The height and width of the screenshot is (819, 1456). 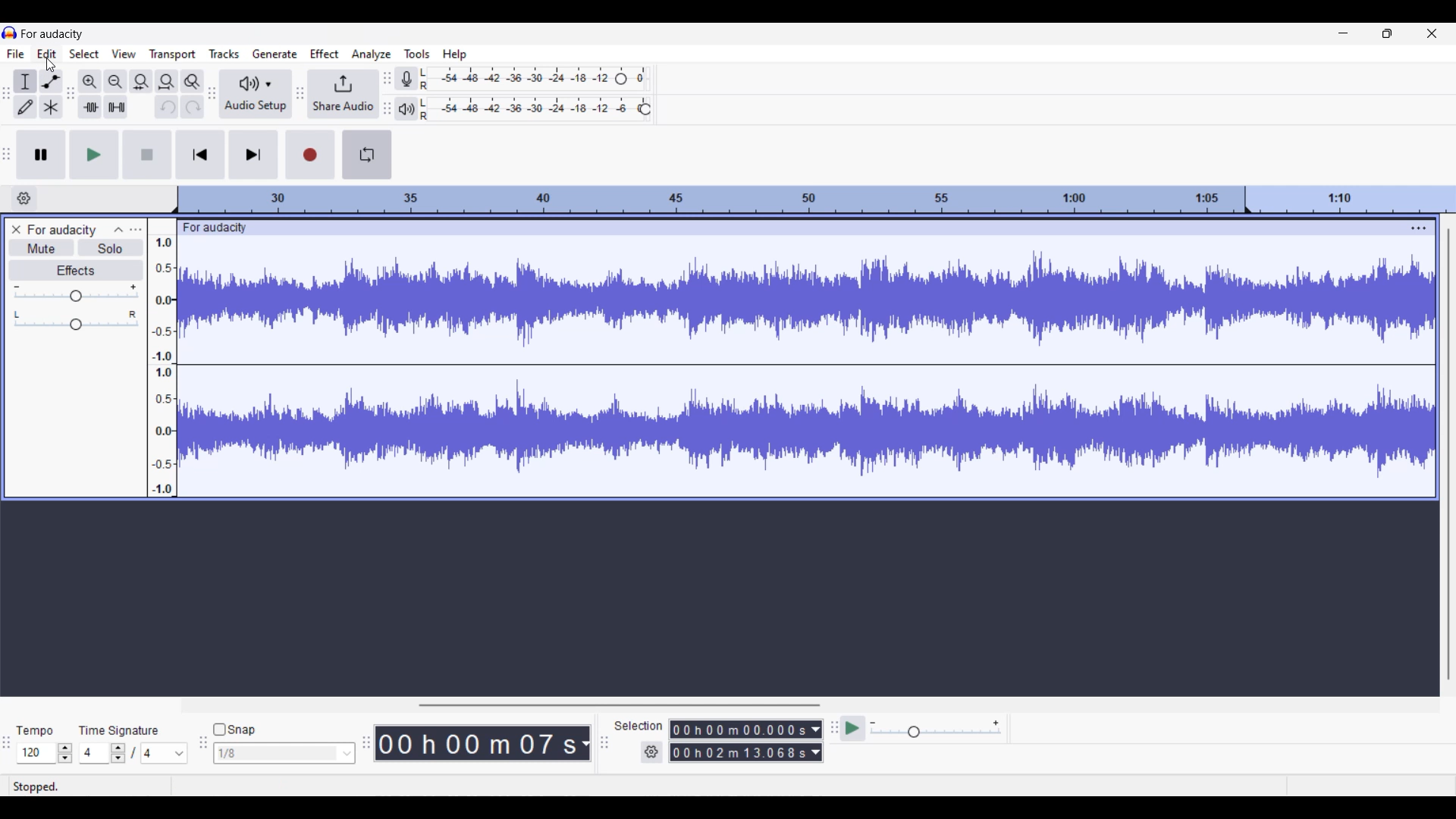 What do you see at coordinates (621, 79) in the screenshot?
I see `Recording level header` at bounding box center [621, 79].